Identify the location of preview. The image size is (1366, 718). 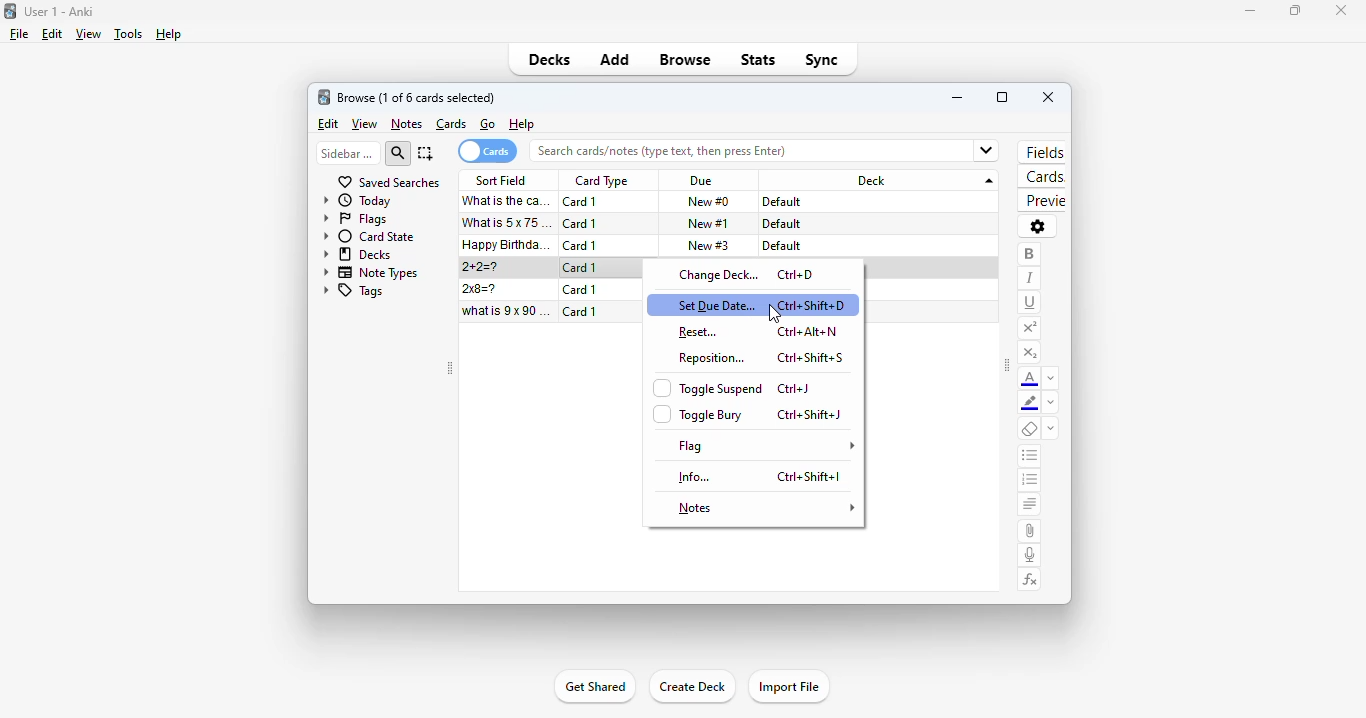
(1041, 201).